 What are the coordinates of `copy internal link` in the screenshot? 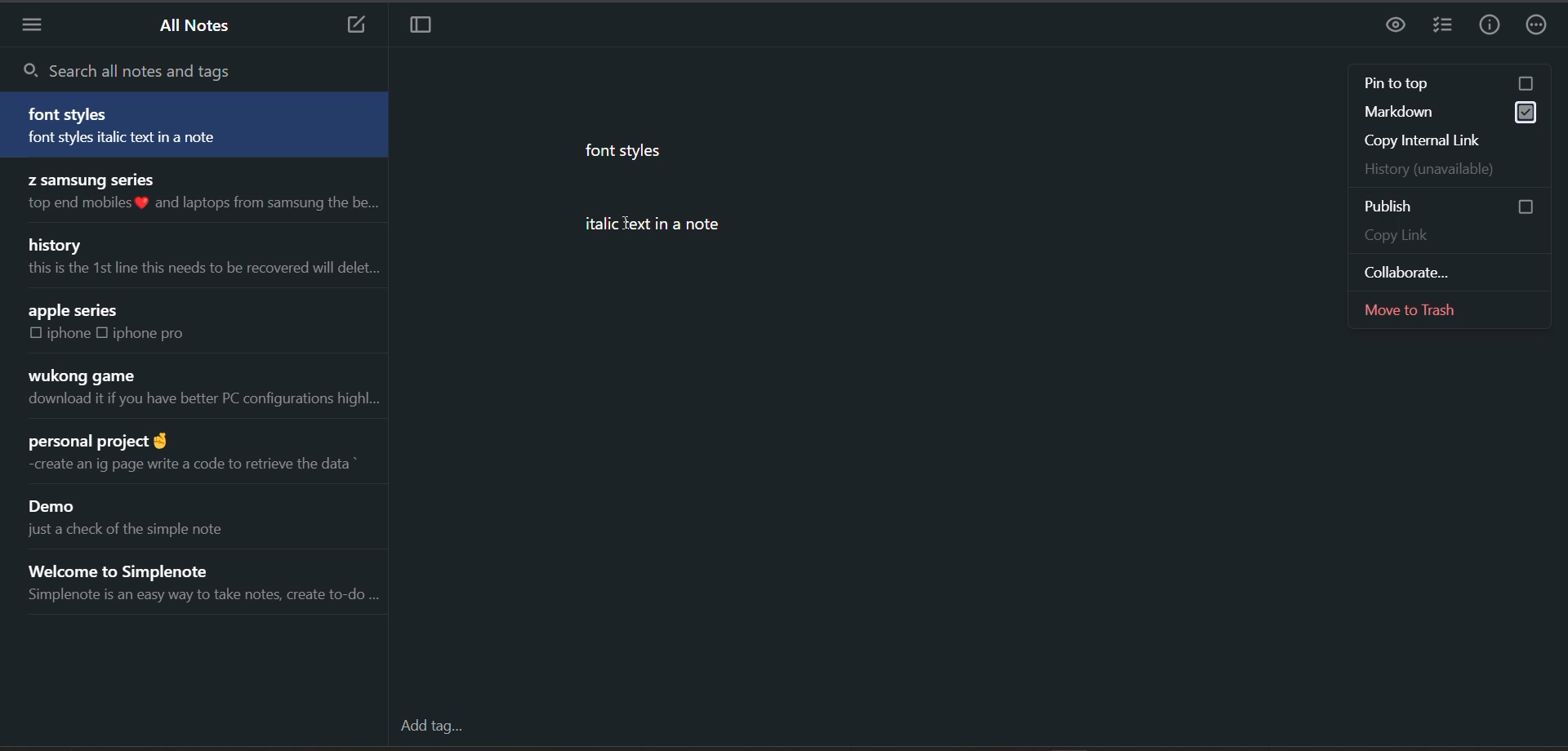 It's located at (1446, 140).